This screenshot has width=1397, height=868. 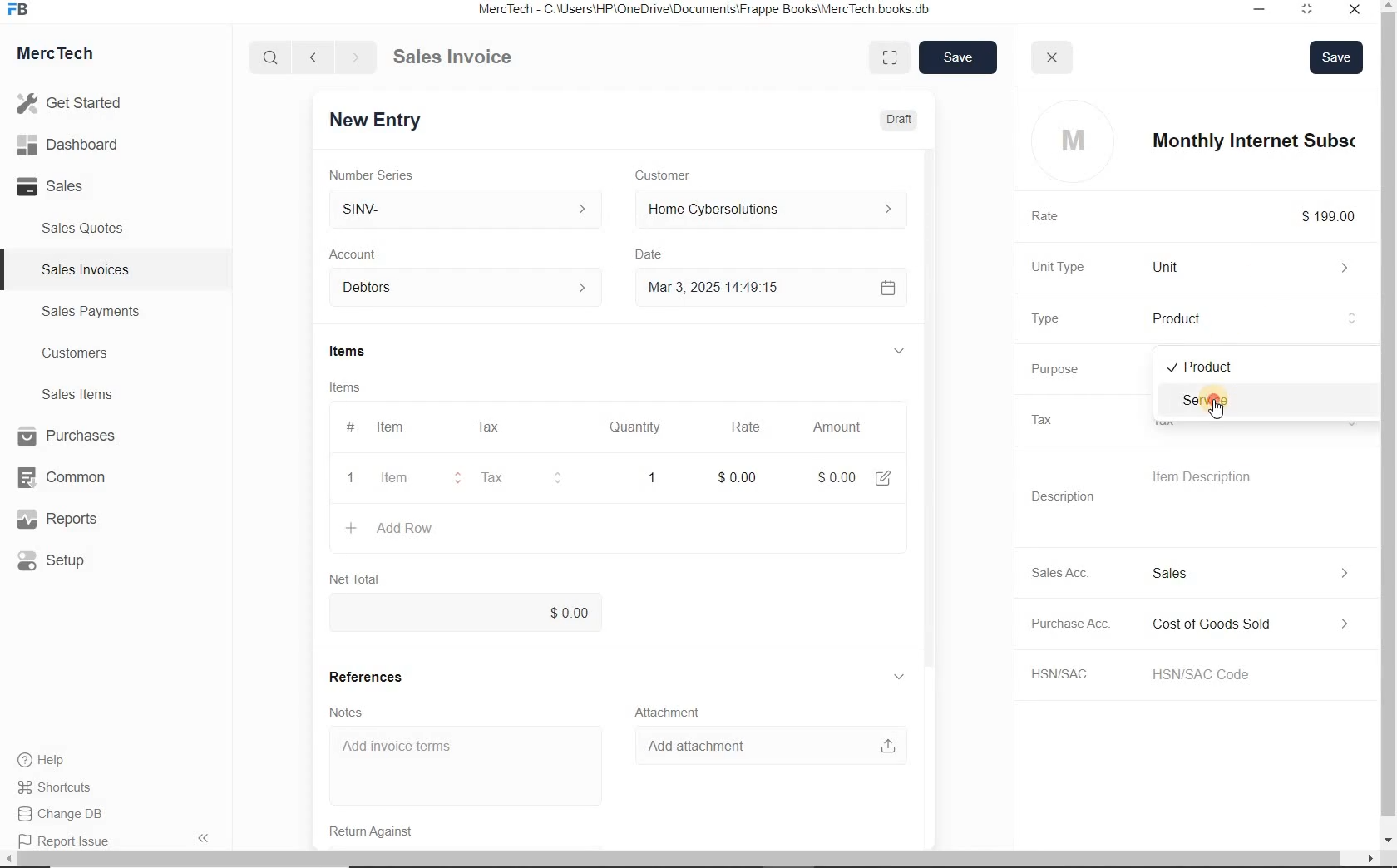 What do you see at coordinates (842, 427) in the screenshot?
I see `Amount` at bounding box center [842, 427].